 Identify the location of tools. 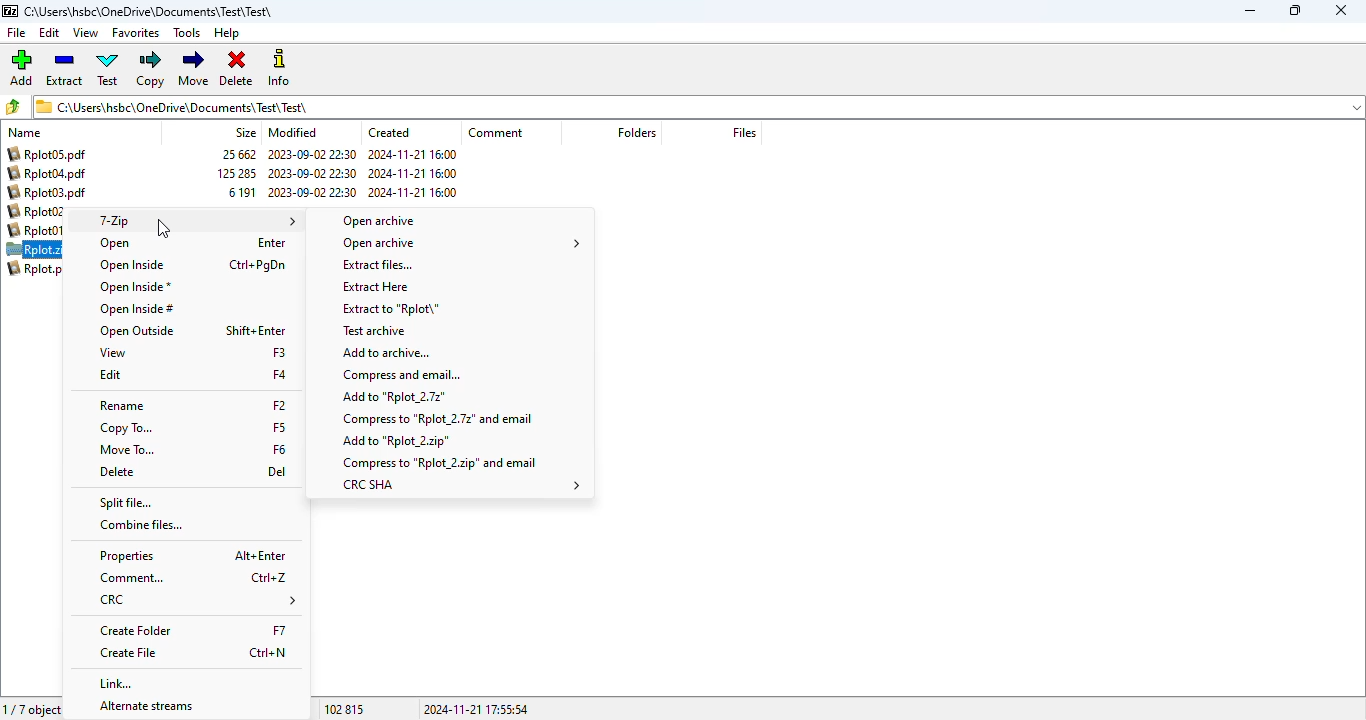
(186, 33).